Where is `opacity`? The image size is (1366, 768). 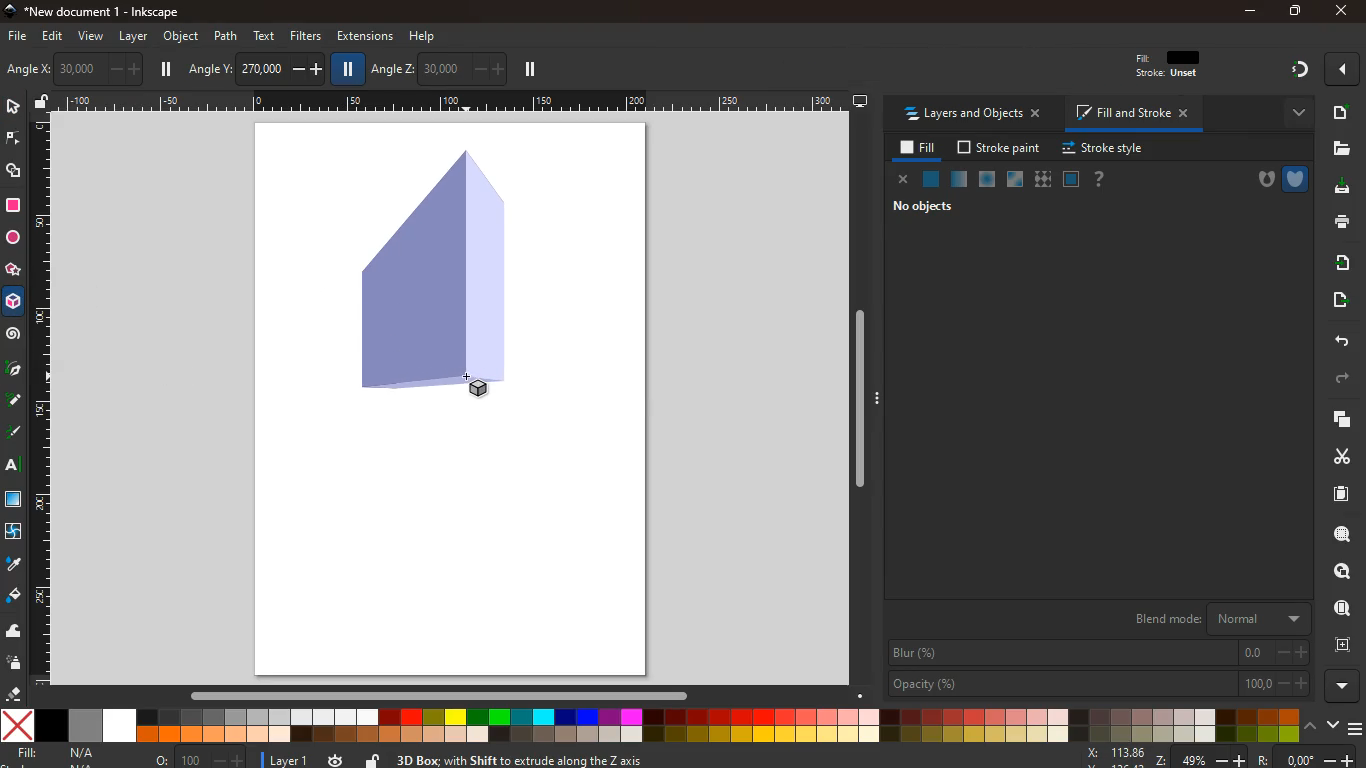 opacity is located at coordinates (957, 180).